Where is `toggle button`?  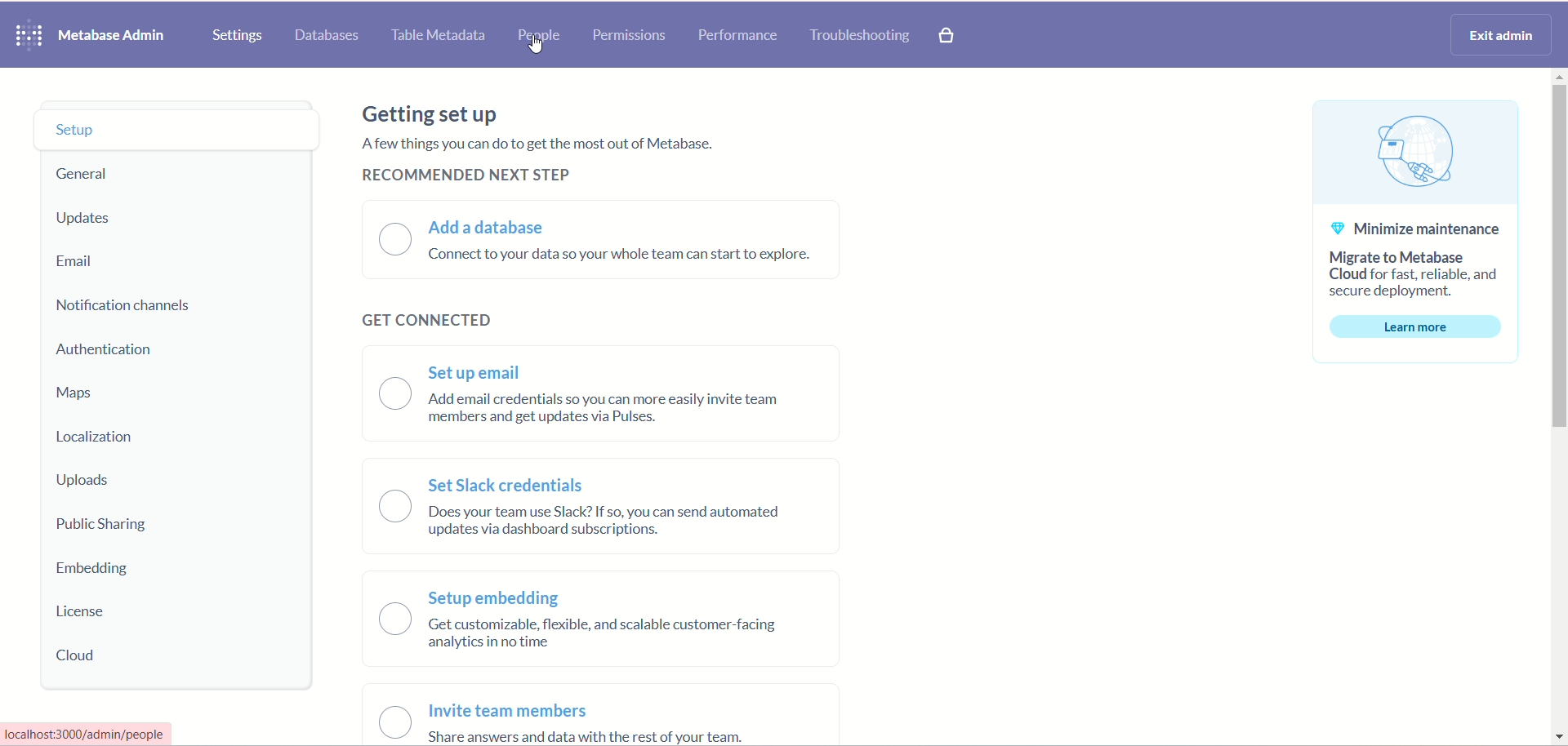 toggle button is located at coordinates (394, 557).